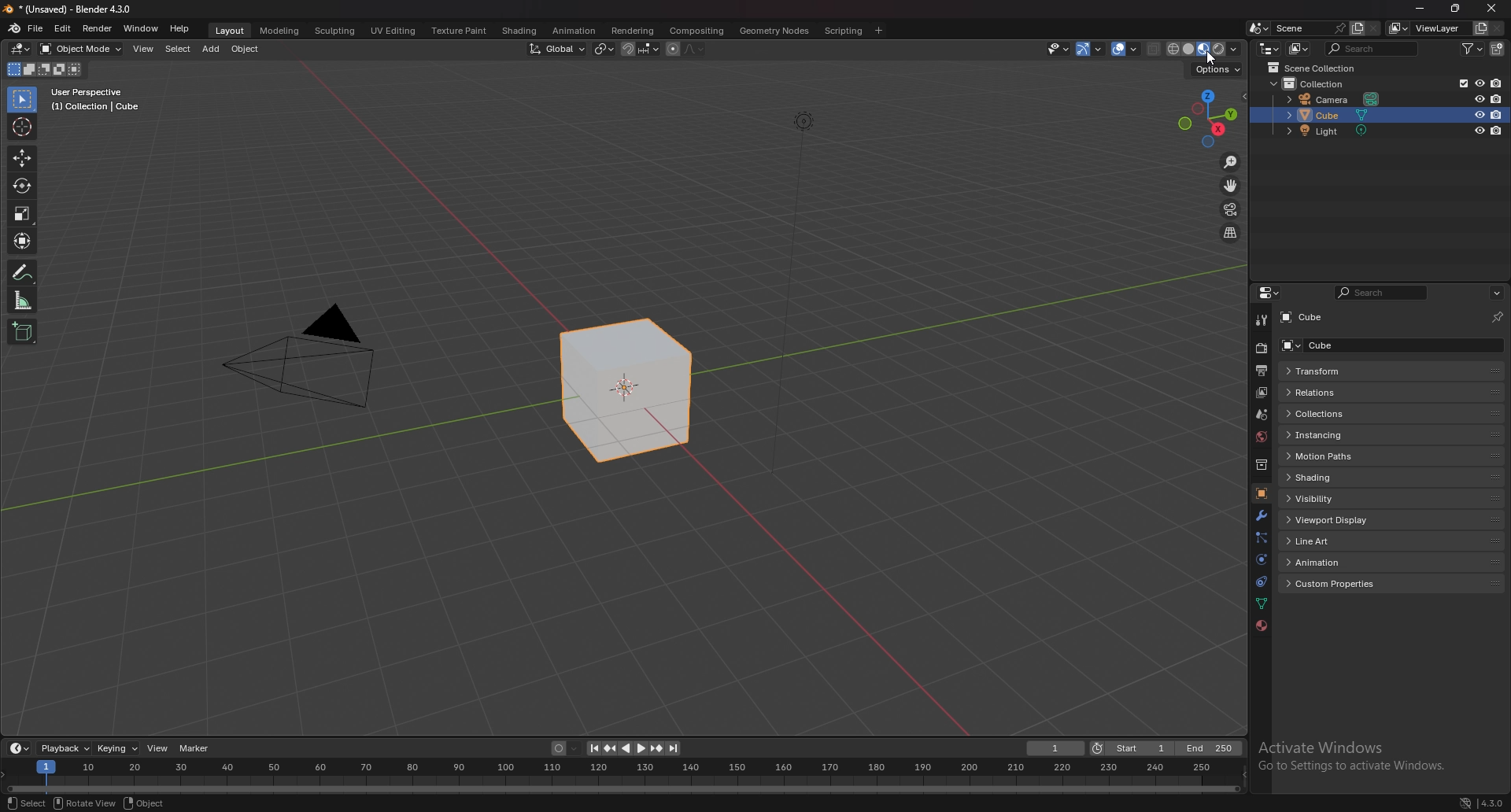 Image resolution: width=1511 pixels, height=812 pixels. What do you see at coordinates (1357, 28) in the screenshot?
I see `add scene` at bounding box center [1357, 28].